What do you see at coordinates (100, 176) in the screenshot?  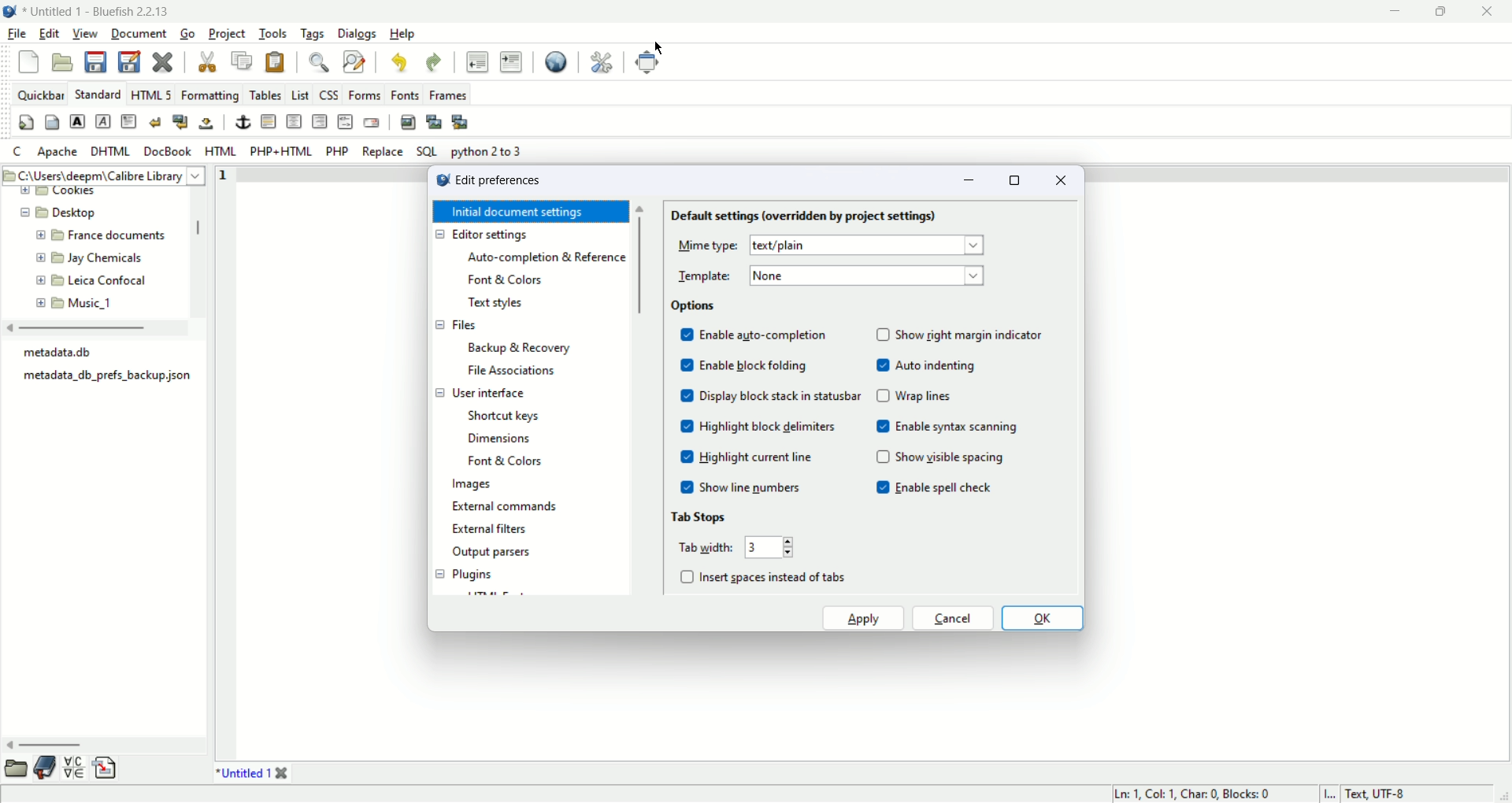 I see `C:\Users\deepm\ Calibre Library` at bounding box center [100, 176].